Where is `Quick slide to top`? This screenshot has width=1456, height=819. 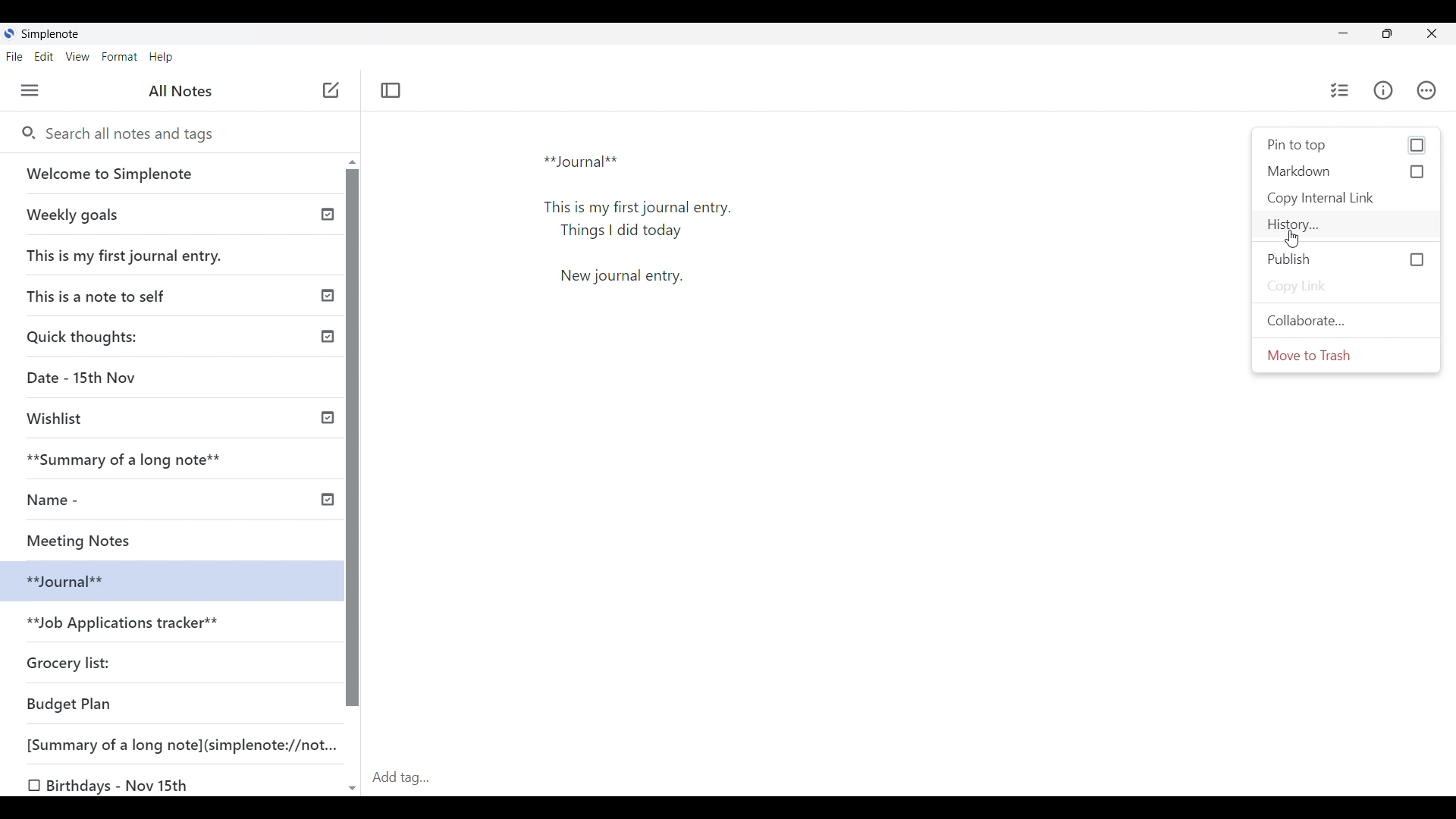 Quick slide to top is located at coordinates (353, 162).